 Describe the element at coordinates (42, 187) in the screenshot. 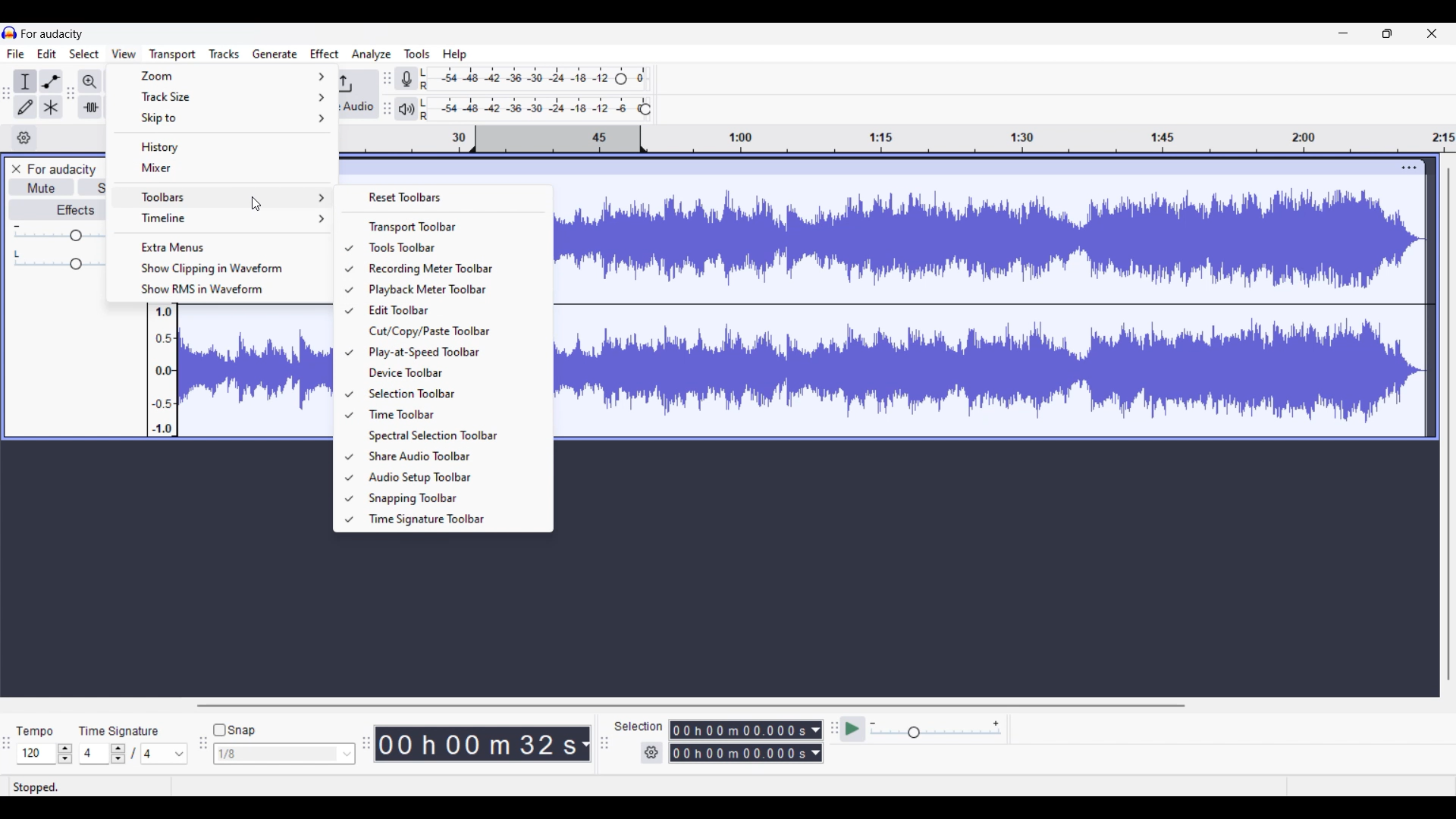

I see `Mute` at that location.